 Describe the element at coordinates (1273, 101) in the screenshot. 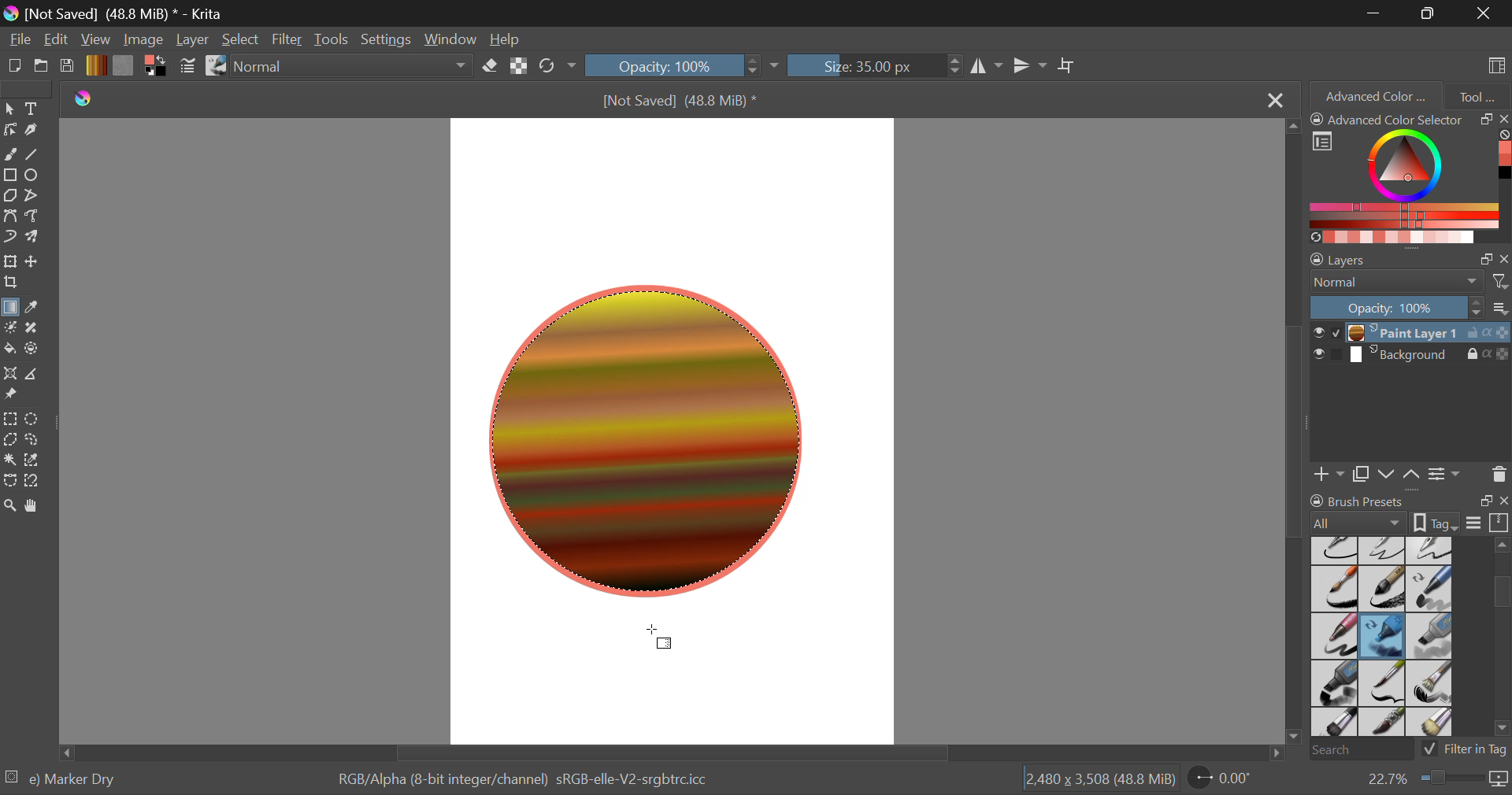

I see `Close` at that location.